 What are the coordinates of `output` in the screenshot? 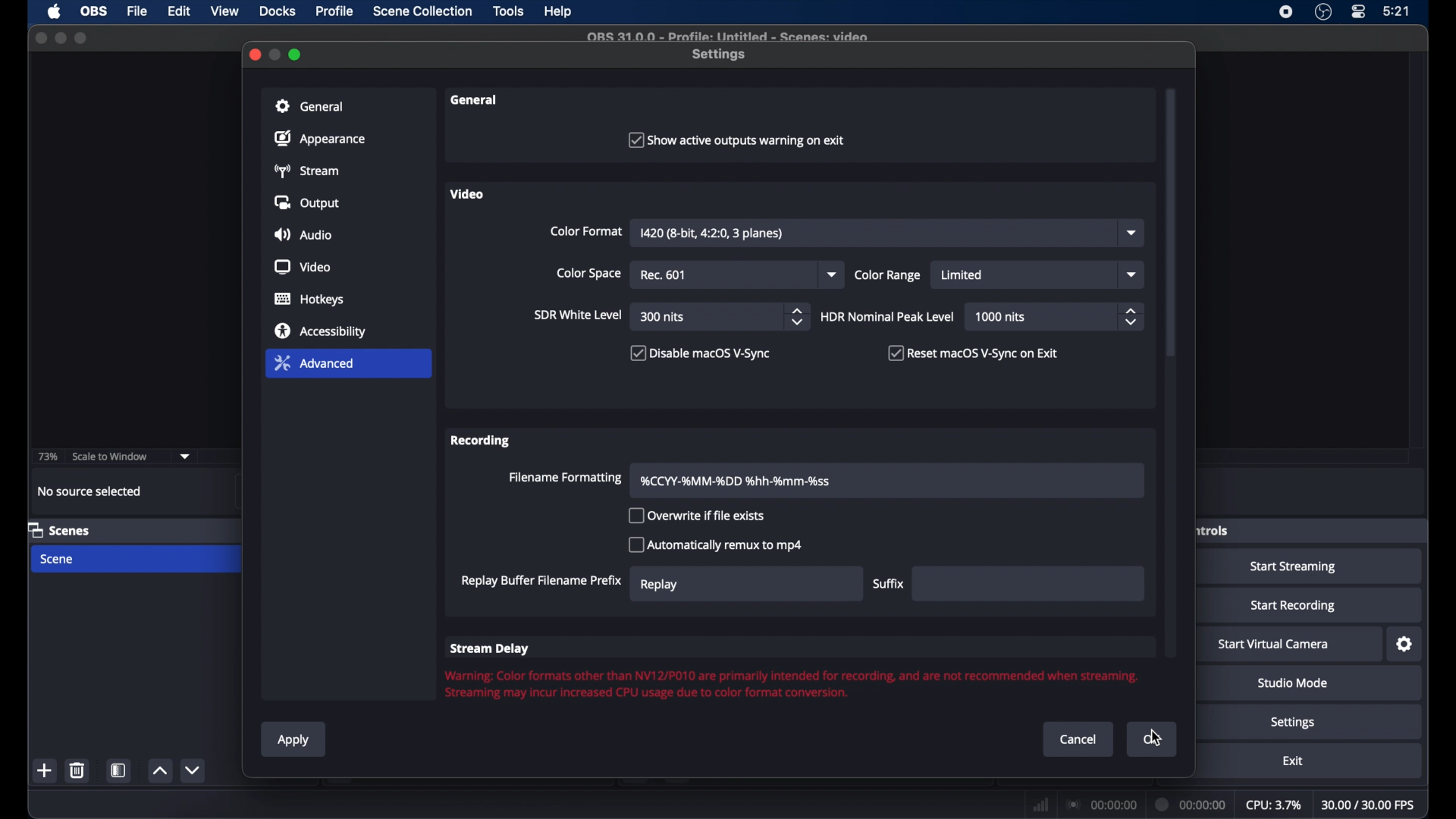 It's located at (306, 203).